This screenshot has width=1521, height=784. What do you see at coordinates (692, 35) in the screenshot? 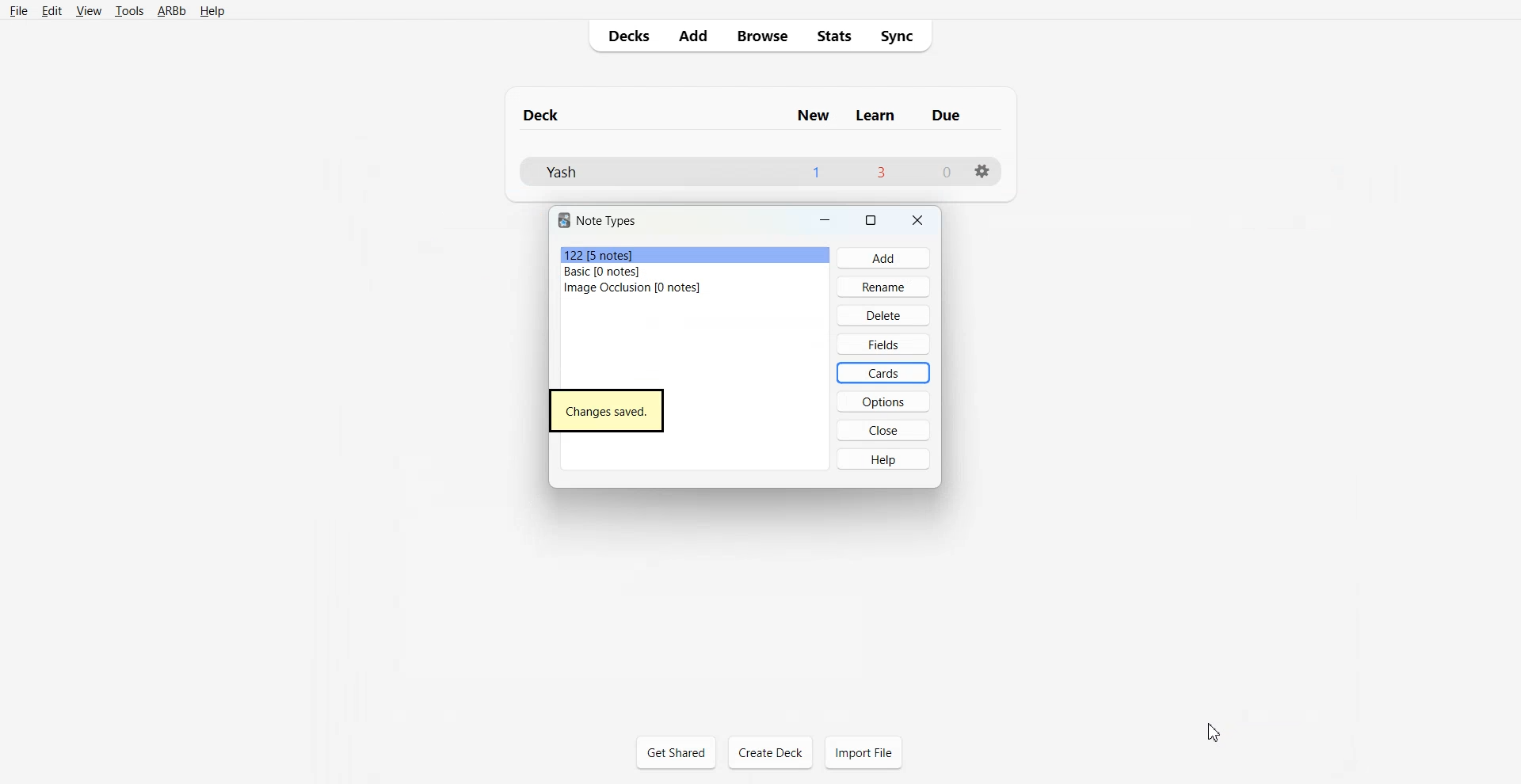
I see `Add` at bounding box center [692, 35].